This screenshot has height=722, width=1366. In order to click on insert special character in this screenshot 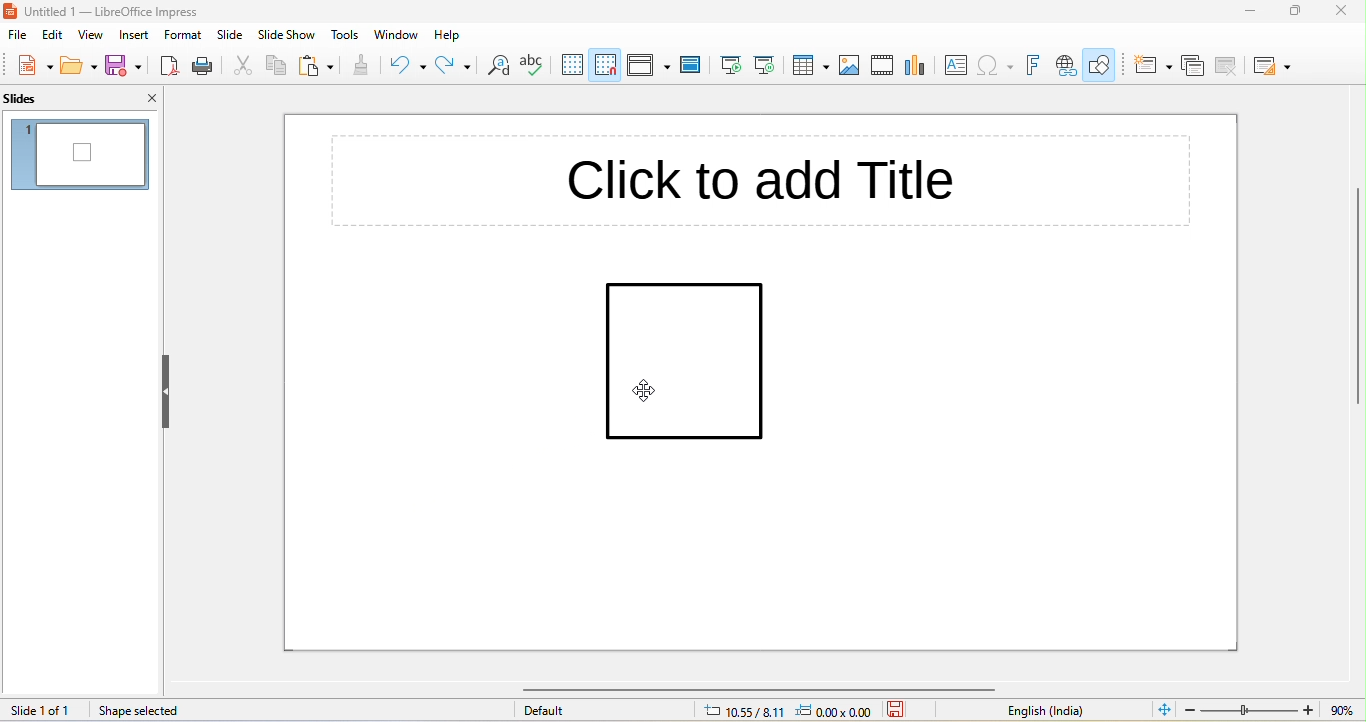, I will do `click(997, 65)`.